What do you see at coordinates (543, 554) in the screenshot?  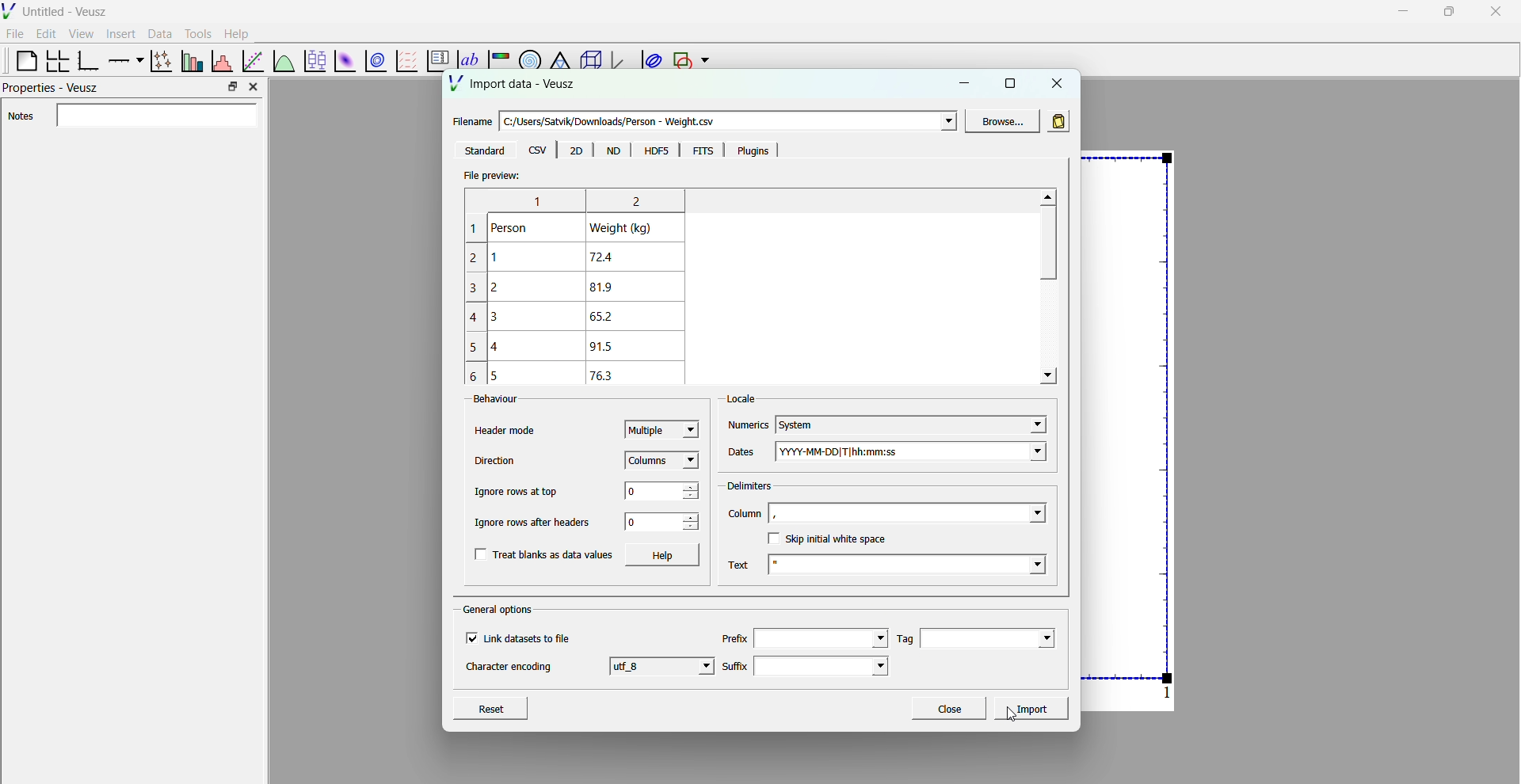 I see `Treat blanks as data values` at bounding box center [543, 554].